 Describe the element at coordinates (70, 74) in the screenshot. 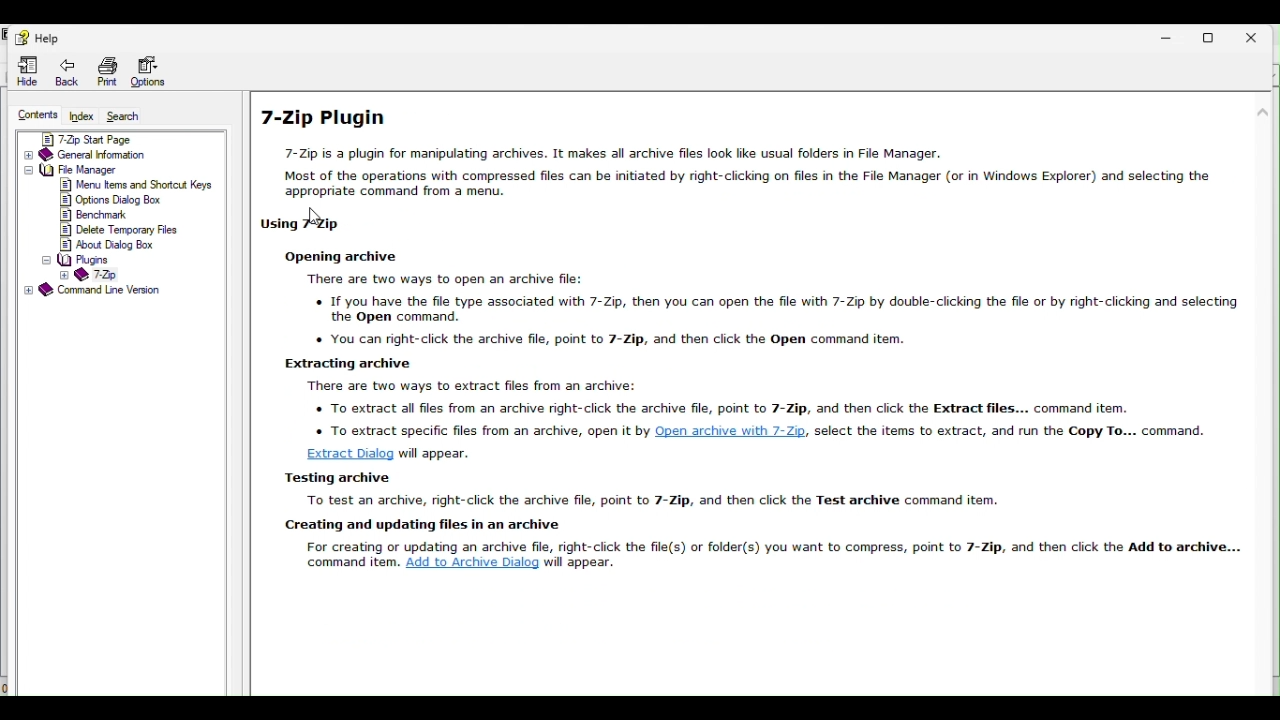

I see `Back` at that location.